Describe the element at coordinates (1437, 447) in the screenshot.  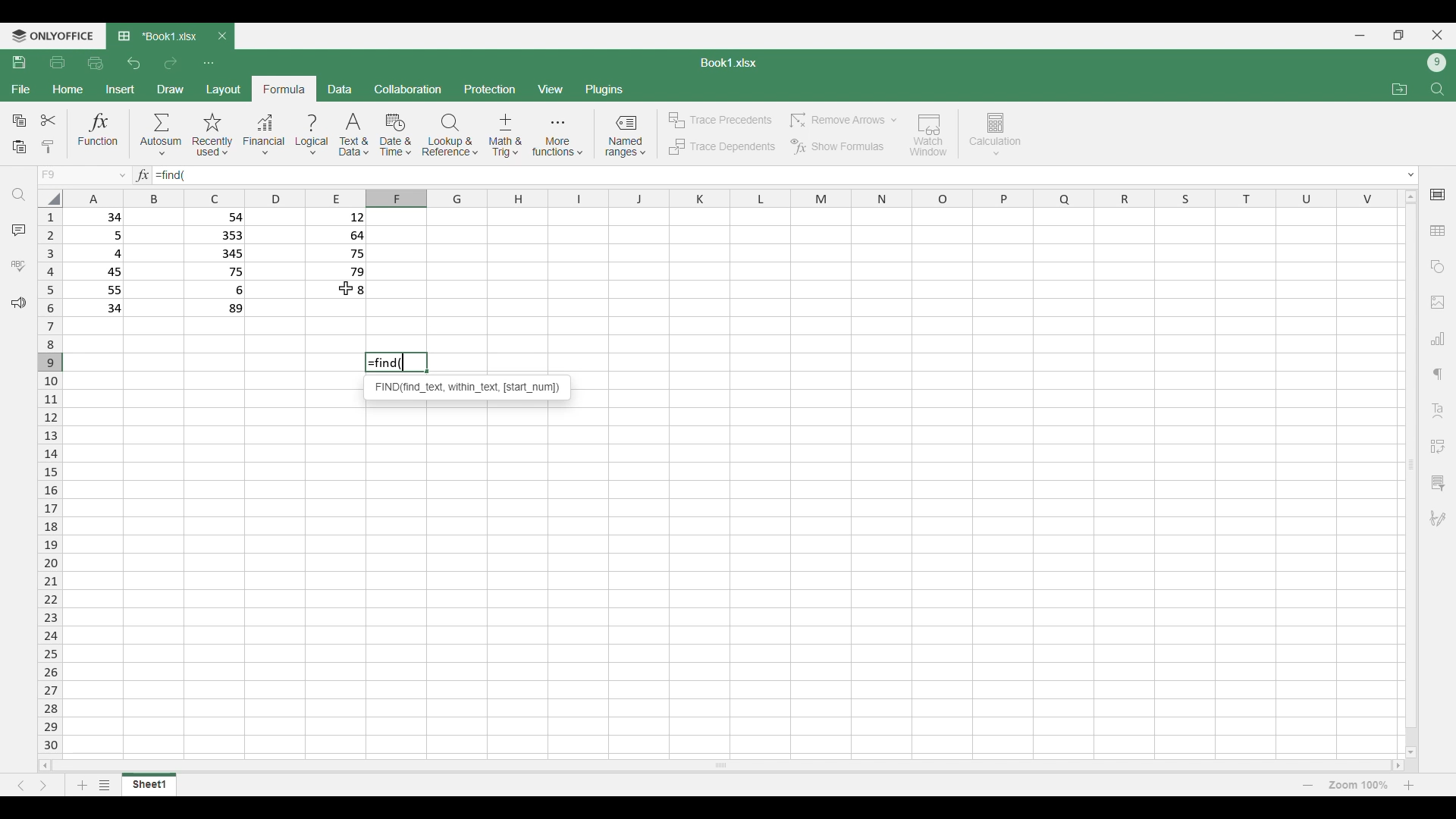
I see `Insert pivot table` at that location.